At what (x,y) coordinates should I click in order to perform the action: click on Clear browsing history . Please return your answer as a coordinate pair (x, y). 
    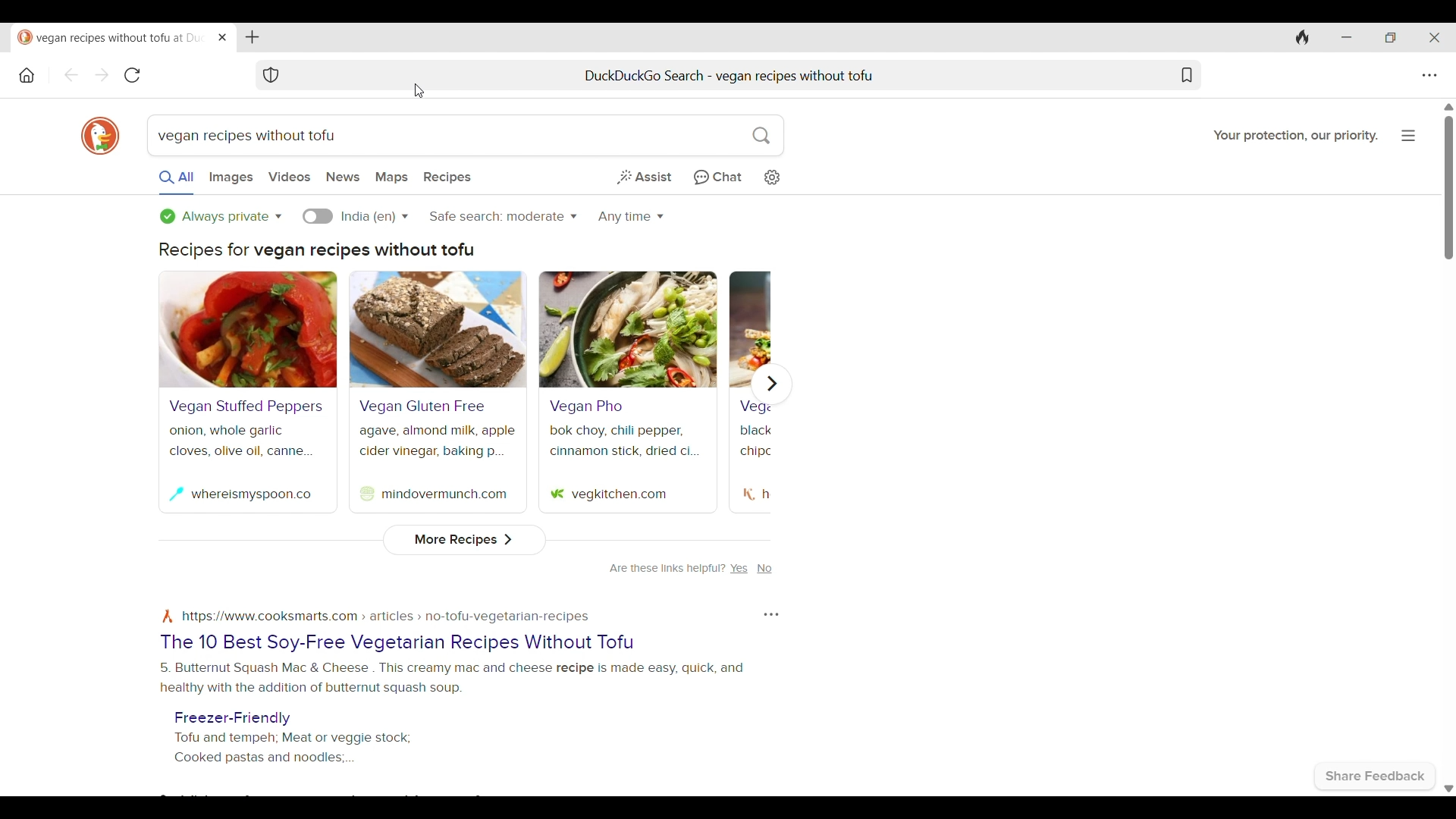
    Looking at the image, I should click on (1303, 38).